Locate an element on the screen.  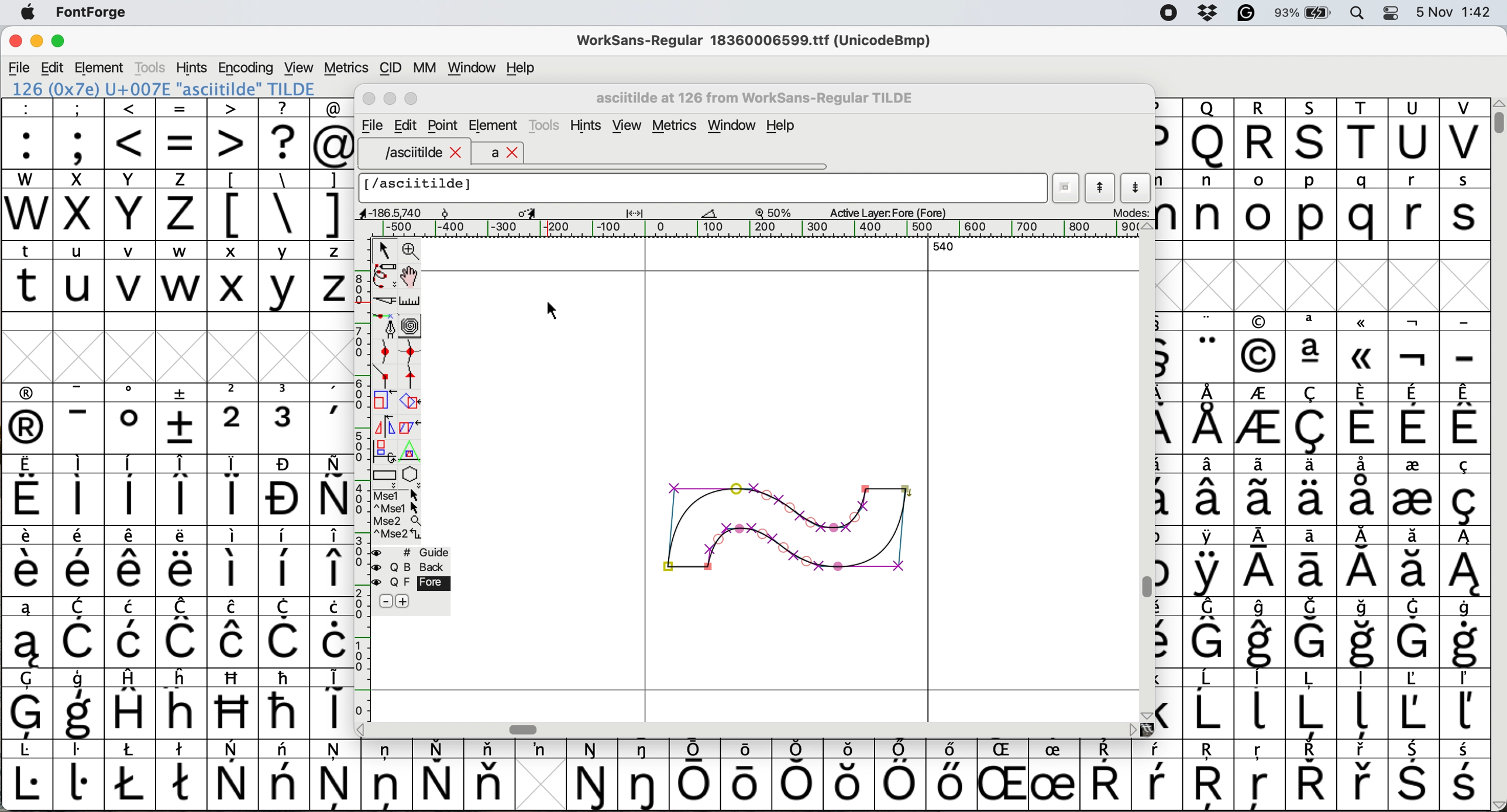
symbol is located at coordinates (78, 490).